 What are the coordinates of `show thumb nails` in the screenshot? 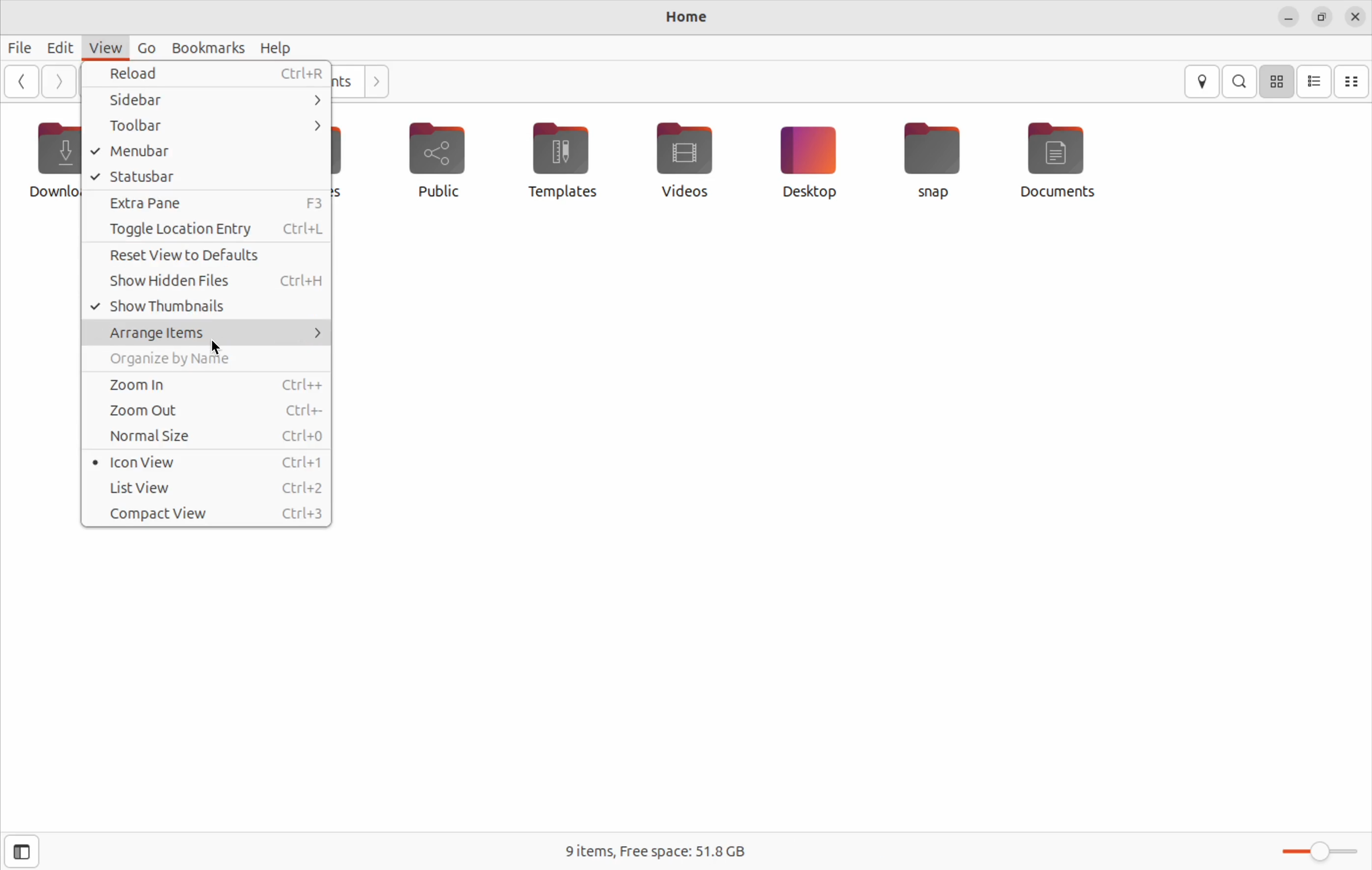 It's located at (207, 308).